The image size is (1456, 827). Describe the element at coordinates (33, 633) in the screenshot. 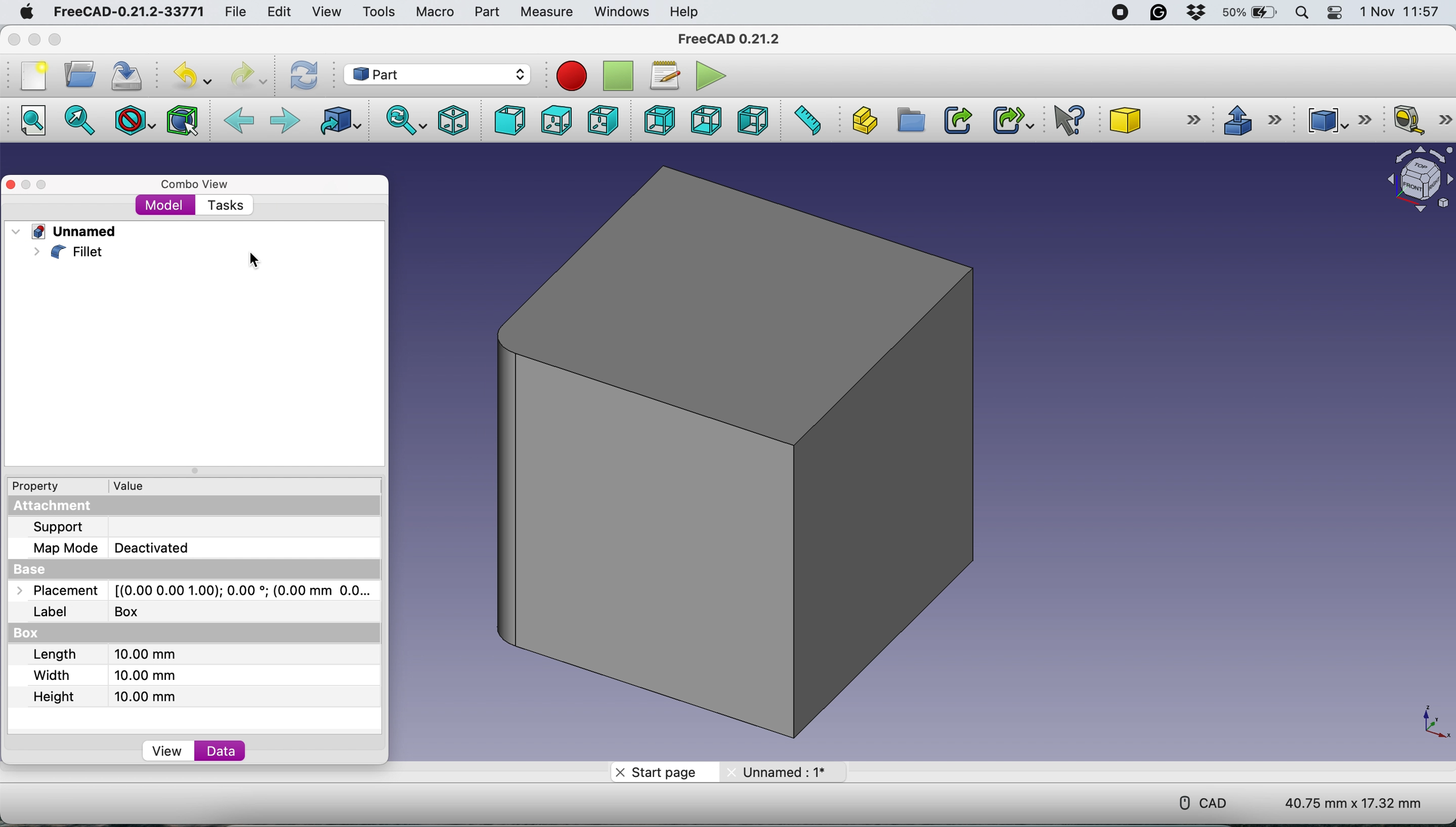

I see `box` at that location.